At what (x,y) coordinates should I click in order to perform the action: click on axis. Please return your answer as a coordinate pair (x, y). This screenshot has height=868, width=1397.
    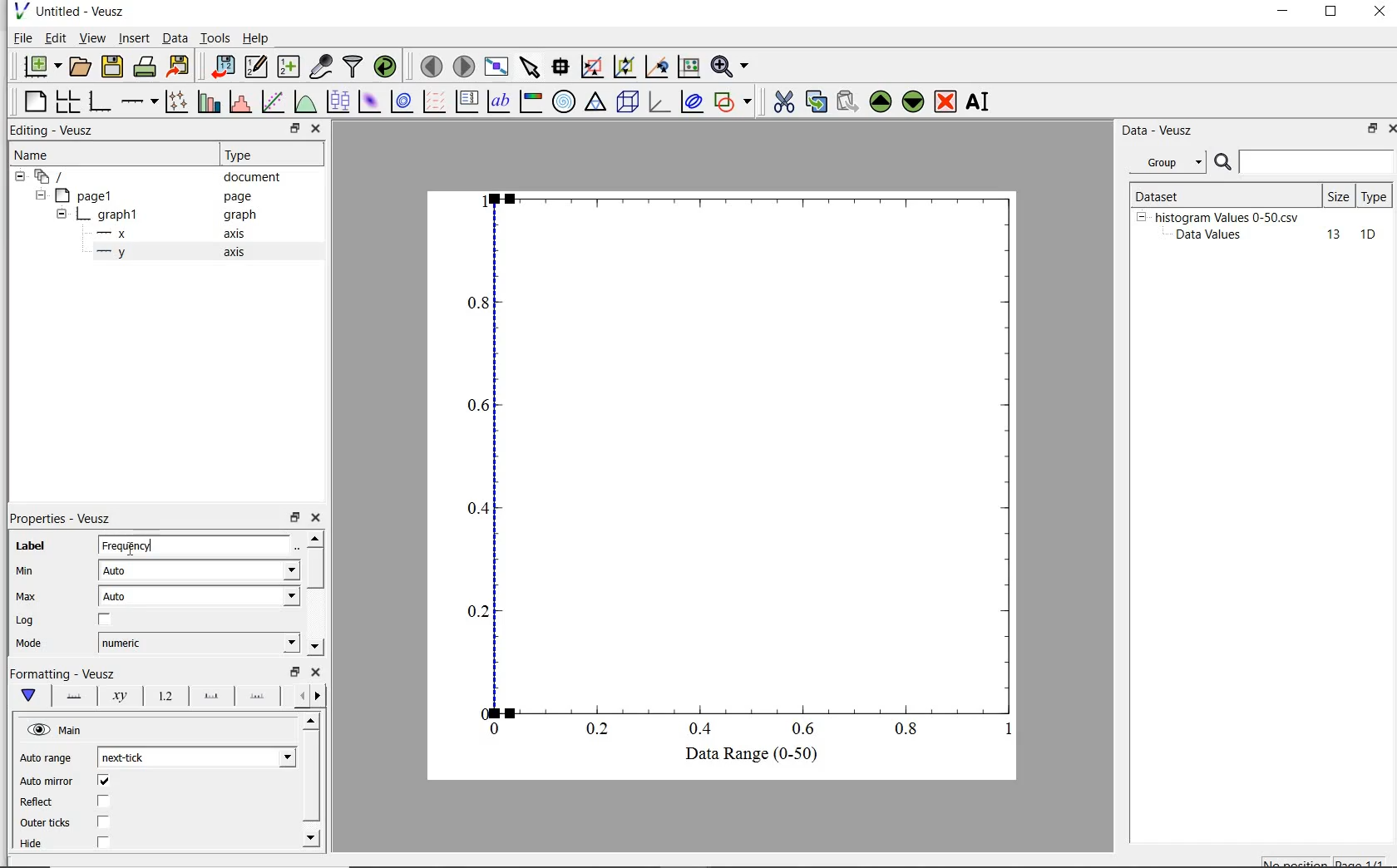
    Looking at the image, I should click on (239, 254).